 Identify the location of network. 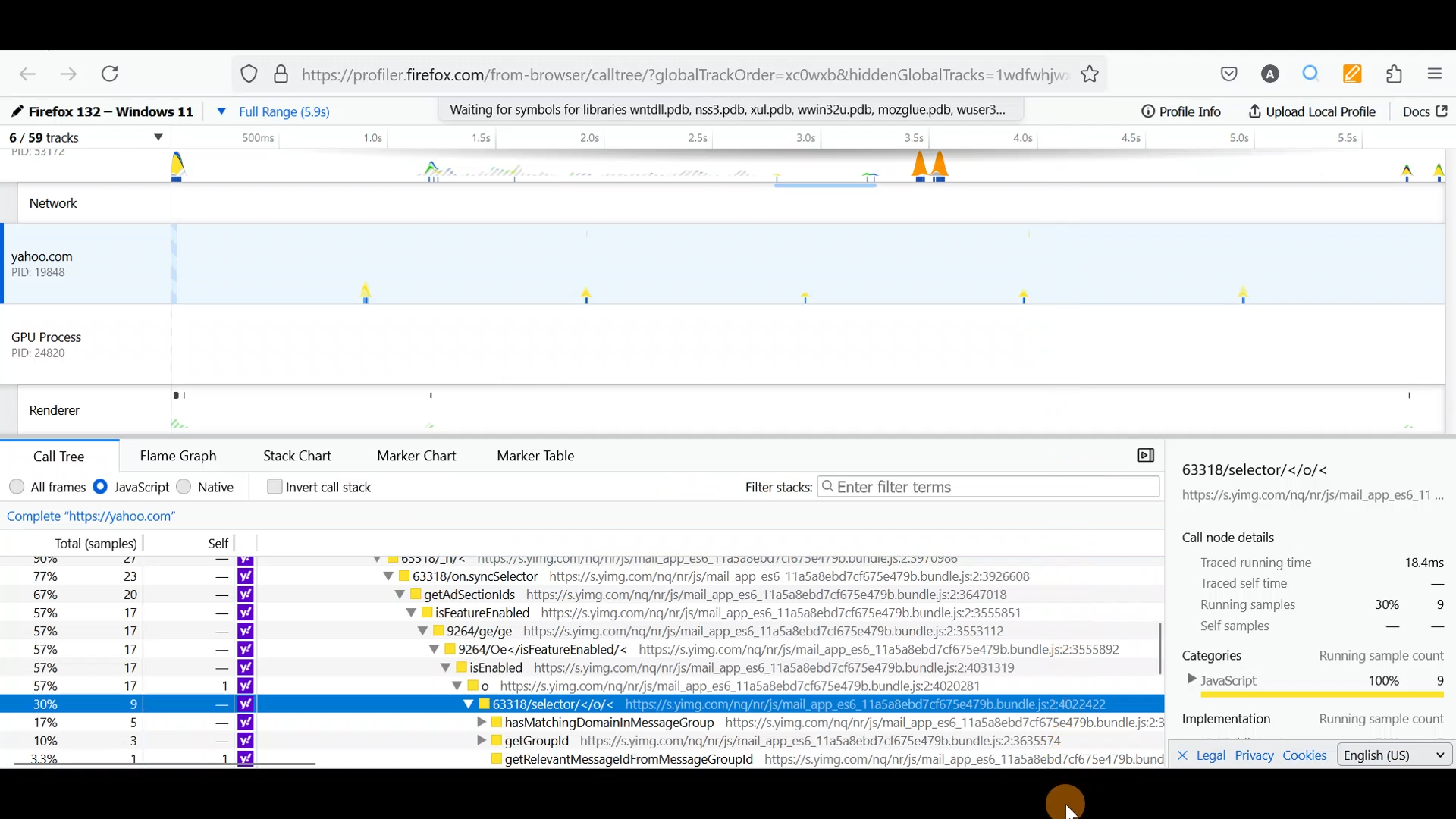
(61, 202).